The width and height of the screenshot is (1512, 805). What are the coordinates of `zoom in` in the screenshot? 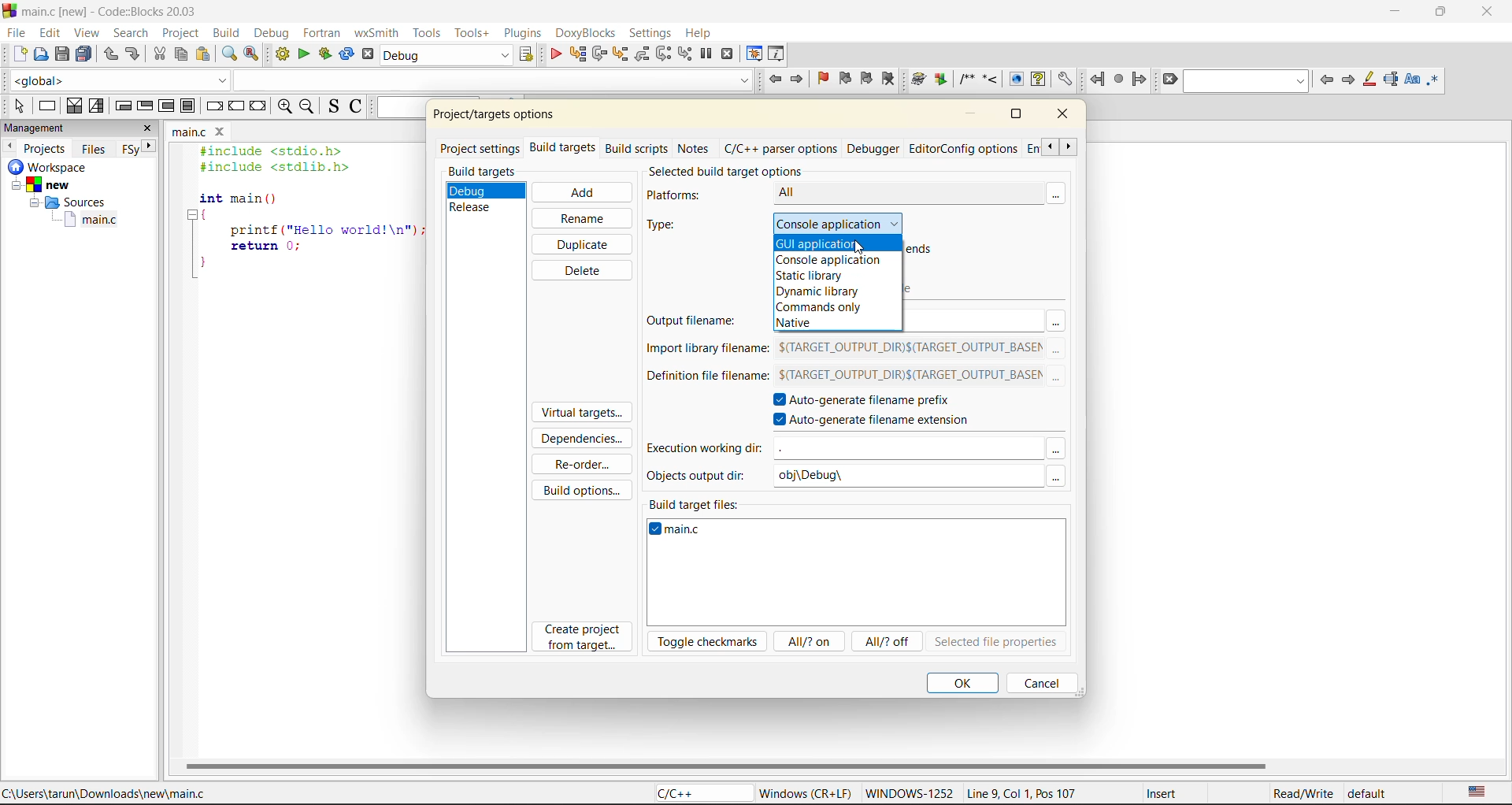 It's located at (283, 109).